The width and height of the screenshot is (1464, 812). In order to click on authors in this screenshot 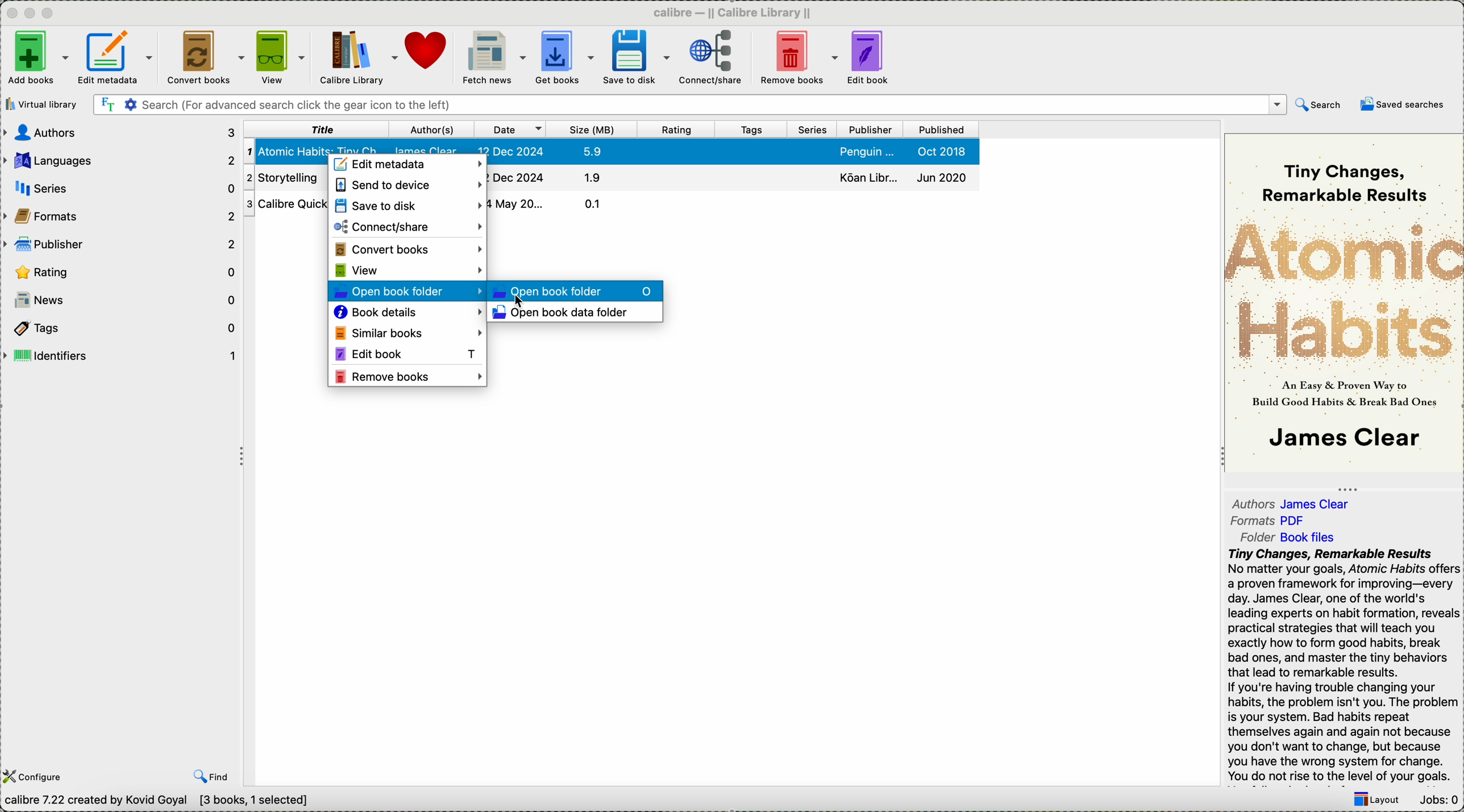, I will do `click(1294, 501)`.